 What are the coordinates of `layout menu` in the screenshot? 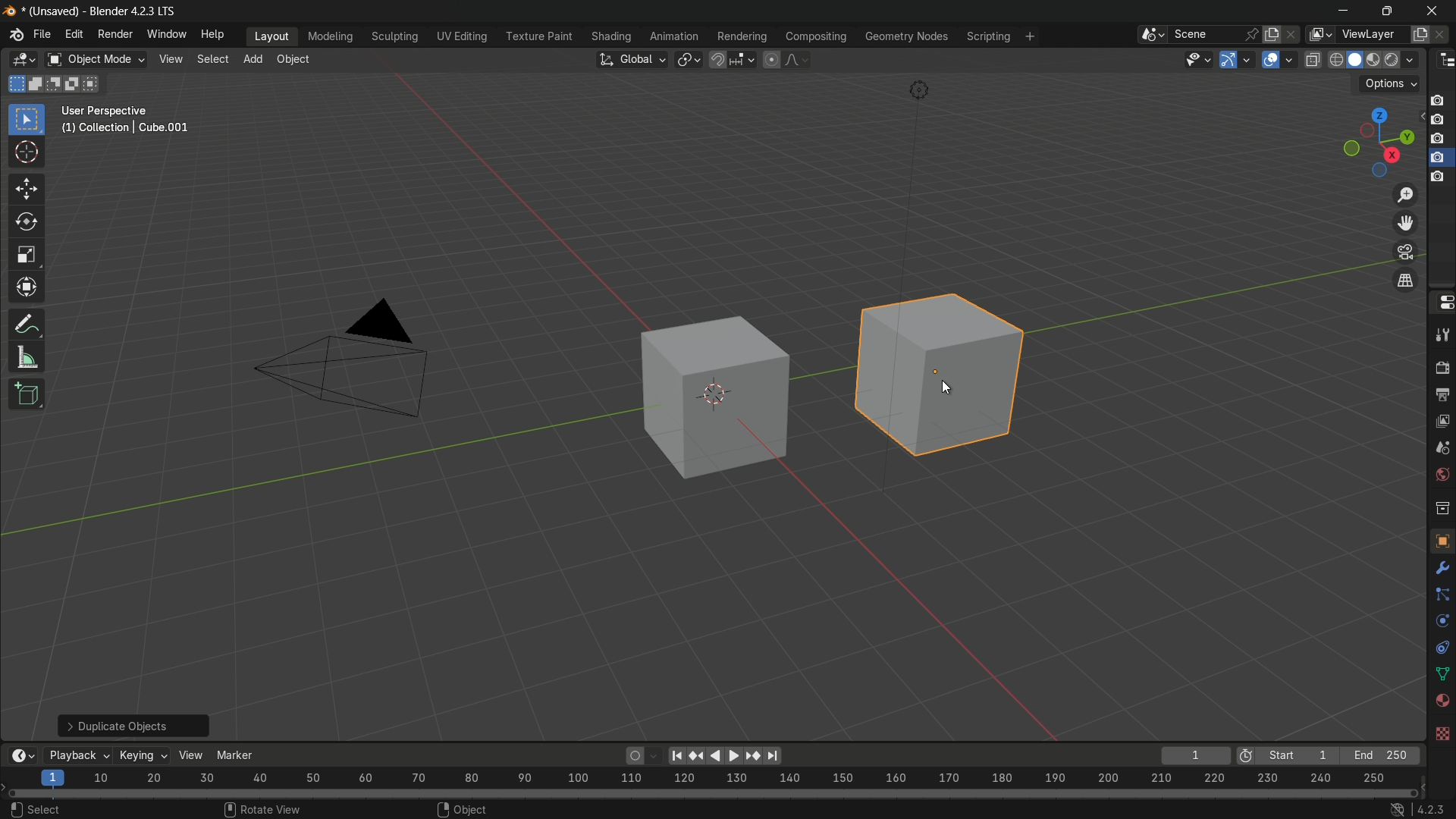 It's located at (268, 37).